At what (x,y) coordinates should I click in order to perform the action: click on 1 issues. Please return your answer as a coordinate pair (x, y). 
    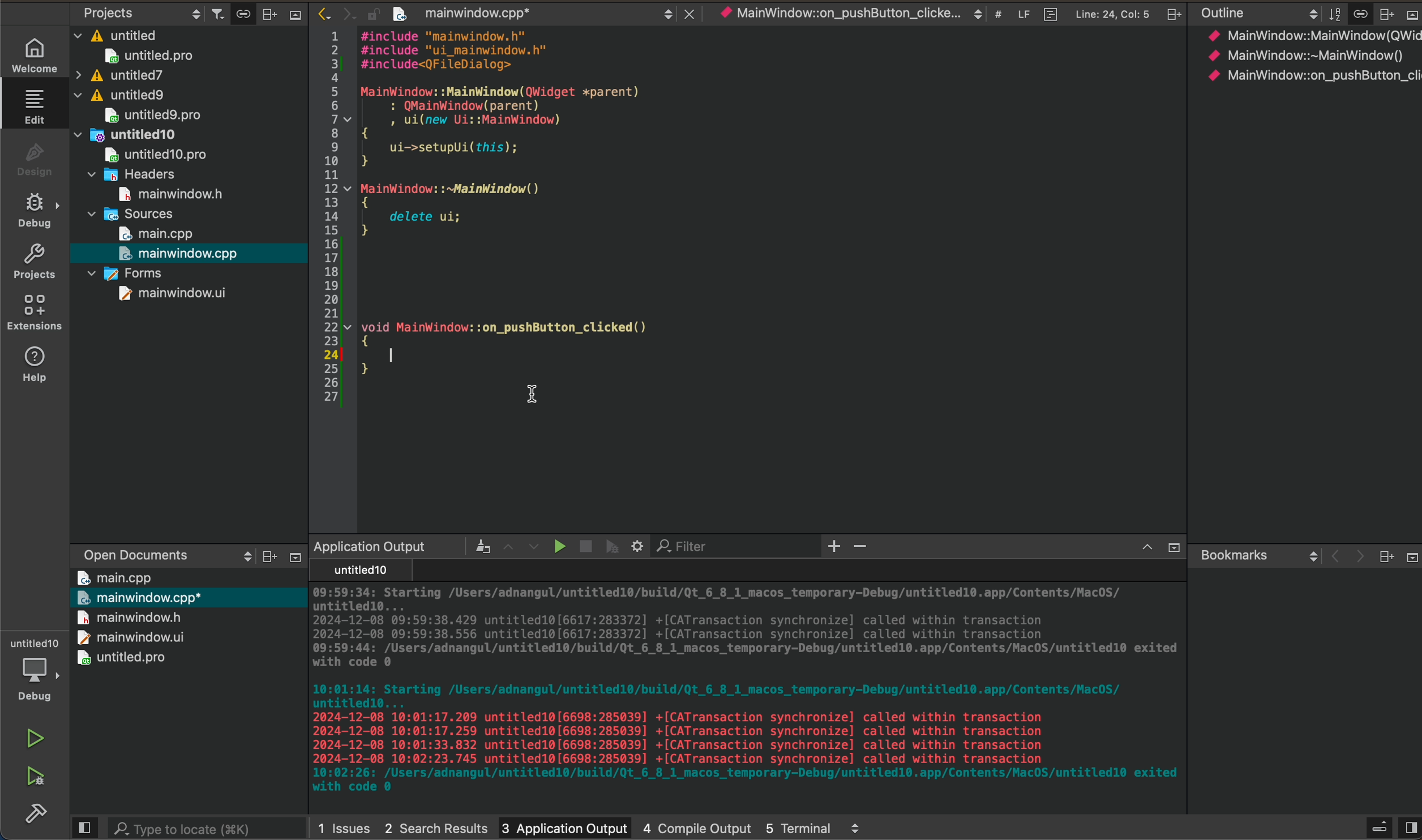
    Looking at the image, I should click on (344, 825).